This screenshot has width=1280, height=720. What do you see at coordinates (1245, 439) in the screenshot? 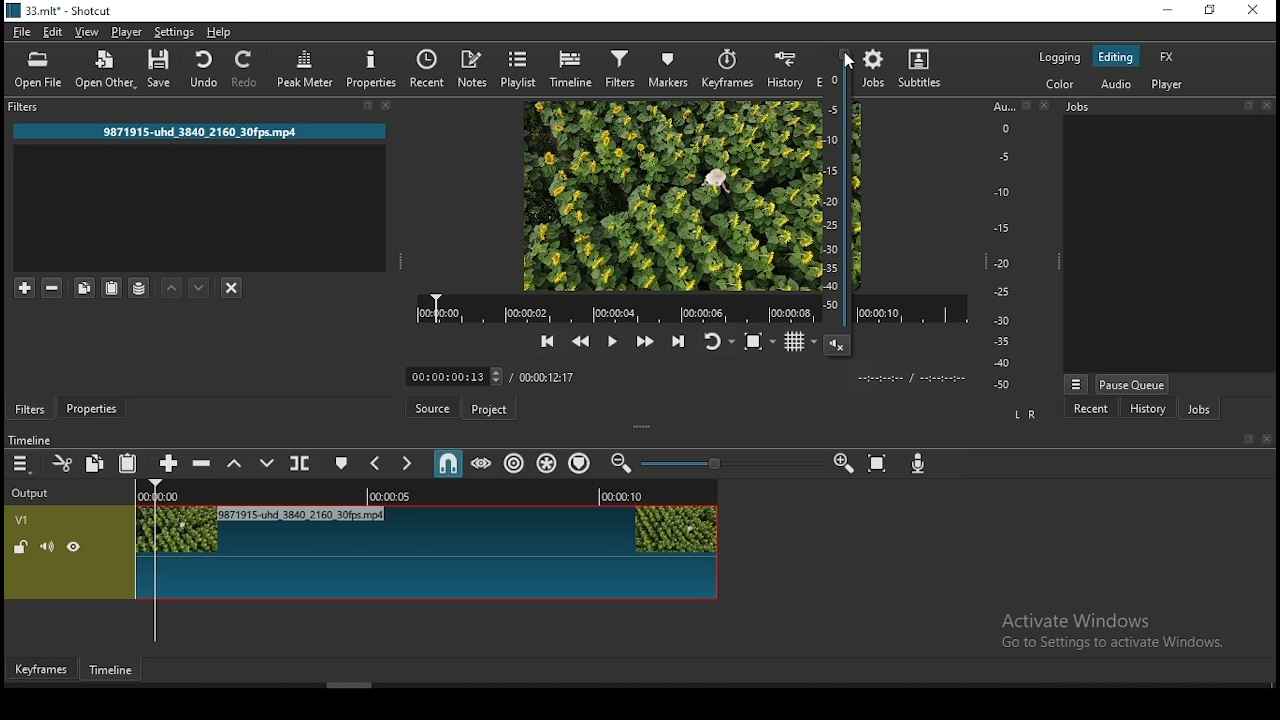
I see `bookmark` at bounding box center [1245, 439].